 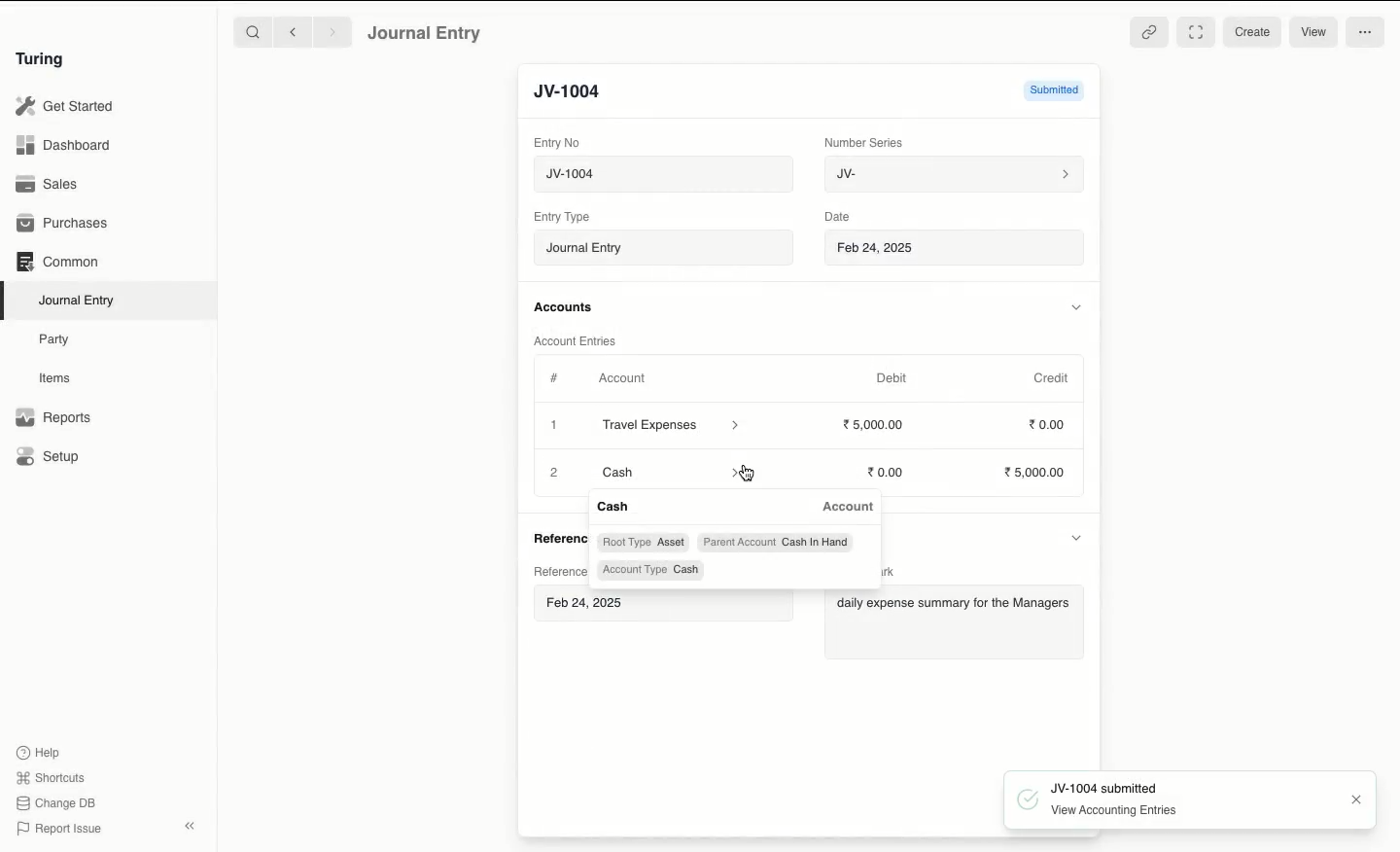 I want to click on Date, so click(x=840, y=216).